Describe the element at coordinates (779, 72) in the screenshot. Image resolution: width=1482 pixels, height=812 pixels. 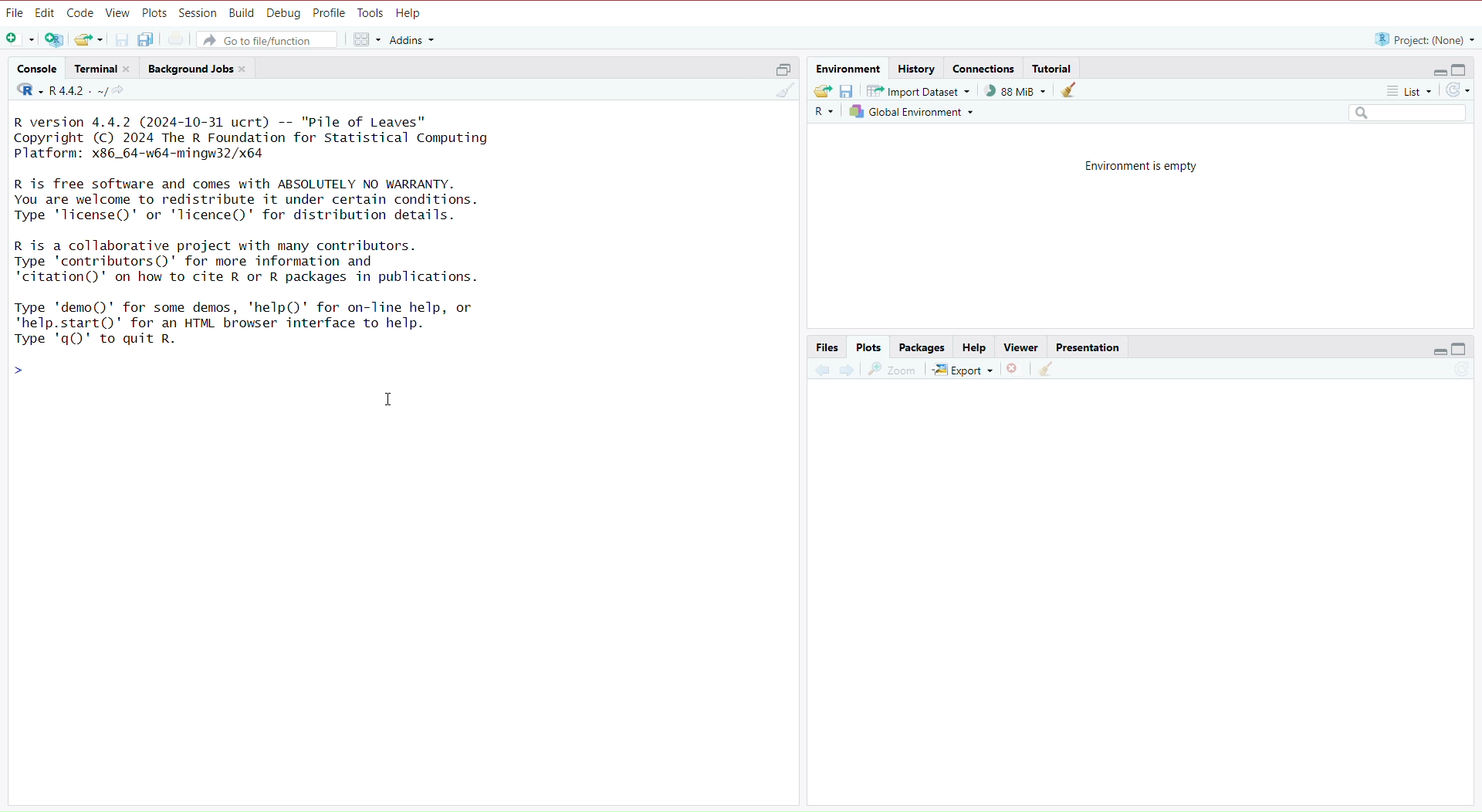
I see `expand` at that location.